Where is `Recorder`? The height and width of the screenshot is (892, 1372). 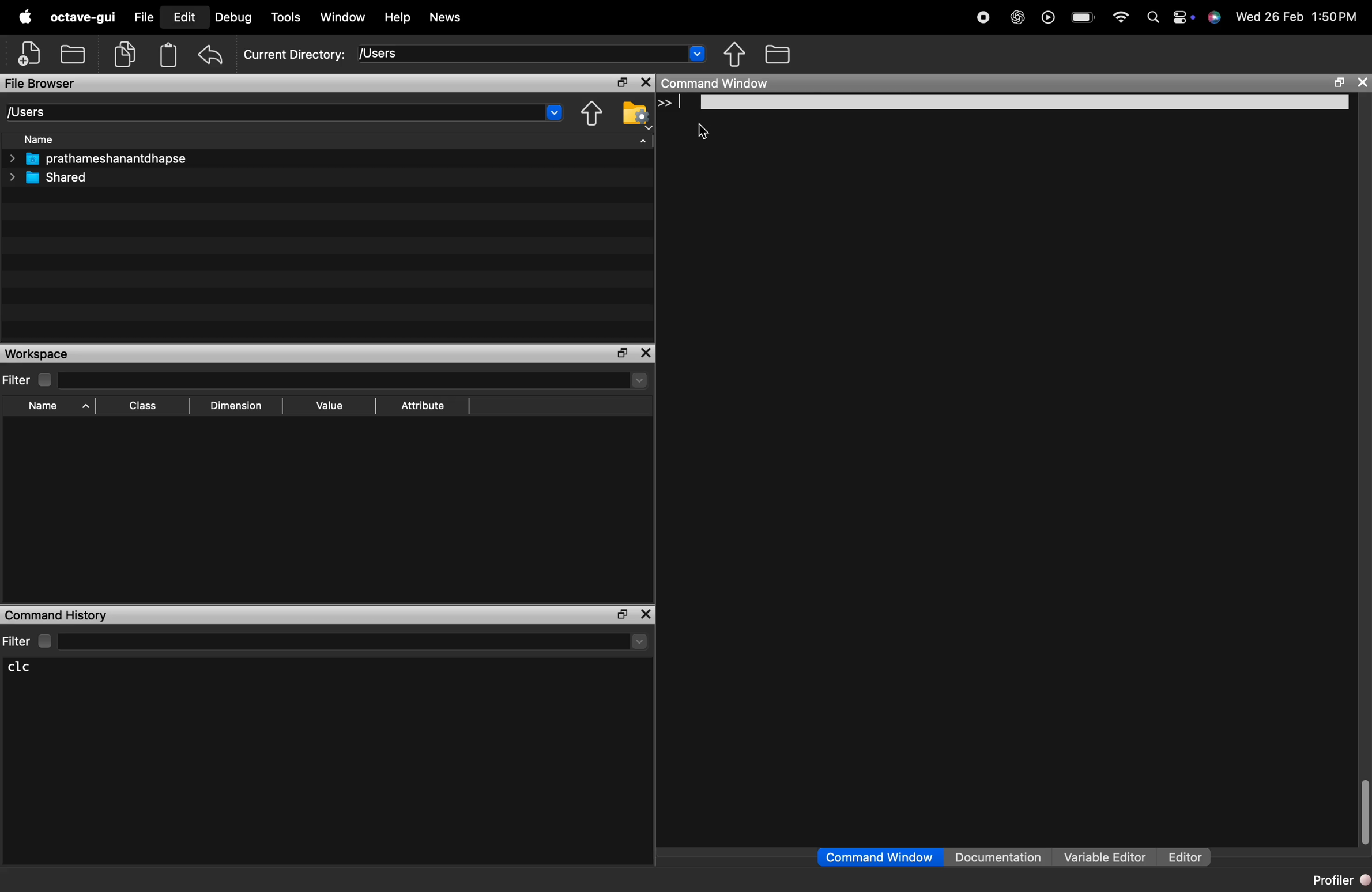 Recorder is located at coordinates (982, 17).